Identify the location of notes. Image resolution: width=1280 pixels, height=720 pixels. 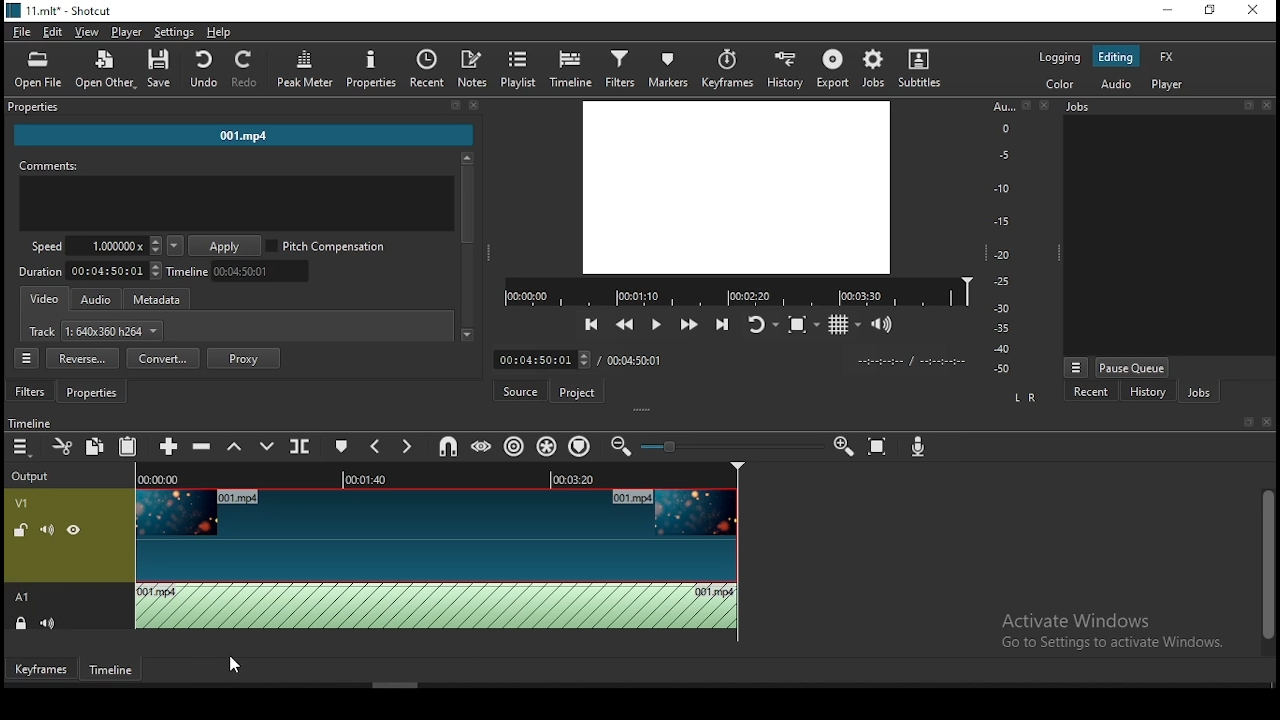
(474, 70).